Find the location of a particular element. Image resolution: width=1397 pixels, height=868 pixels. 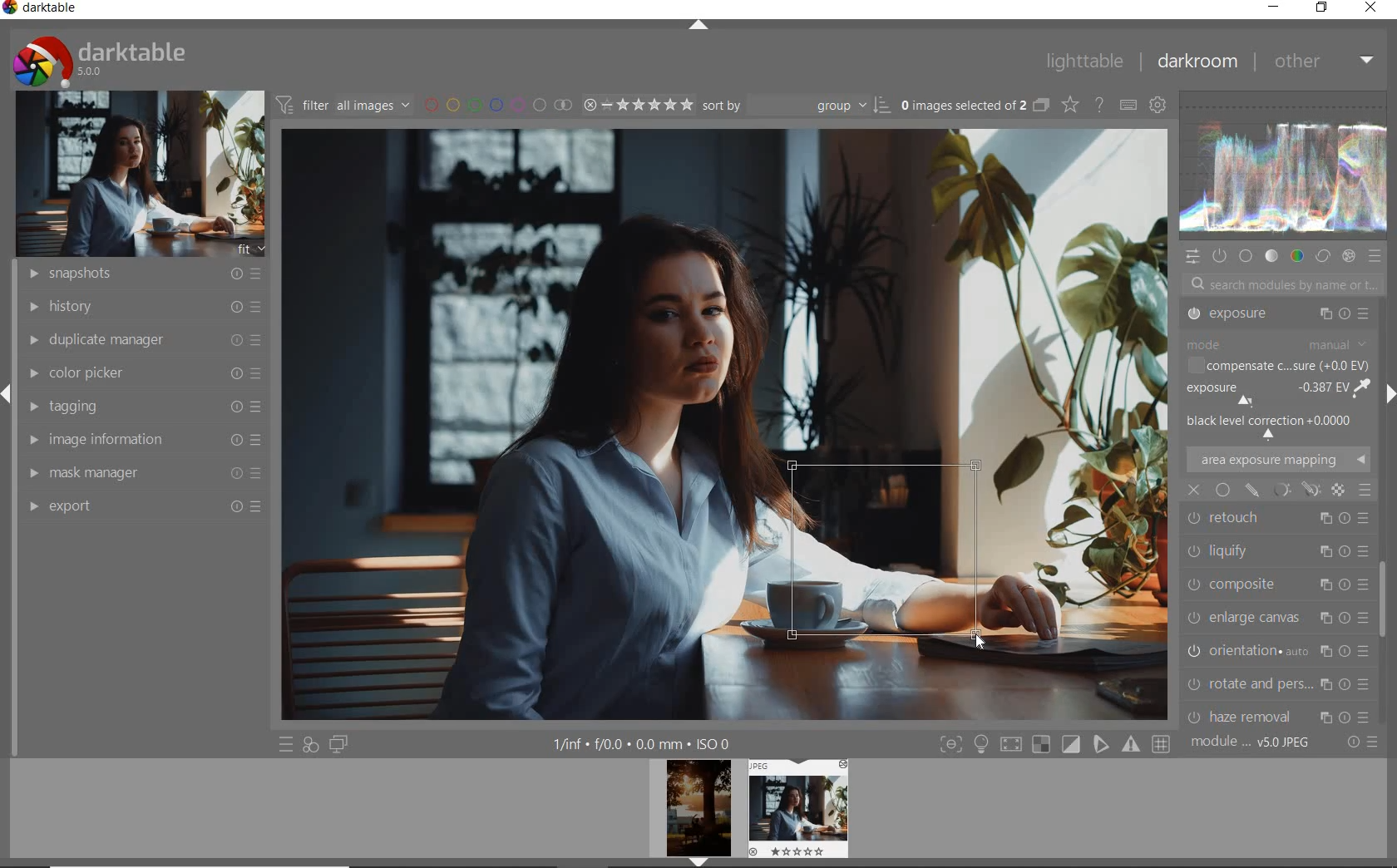

DEFINE KEYBOARD SHORTCUT is located at coordinates (1129, 106).